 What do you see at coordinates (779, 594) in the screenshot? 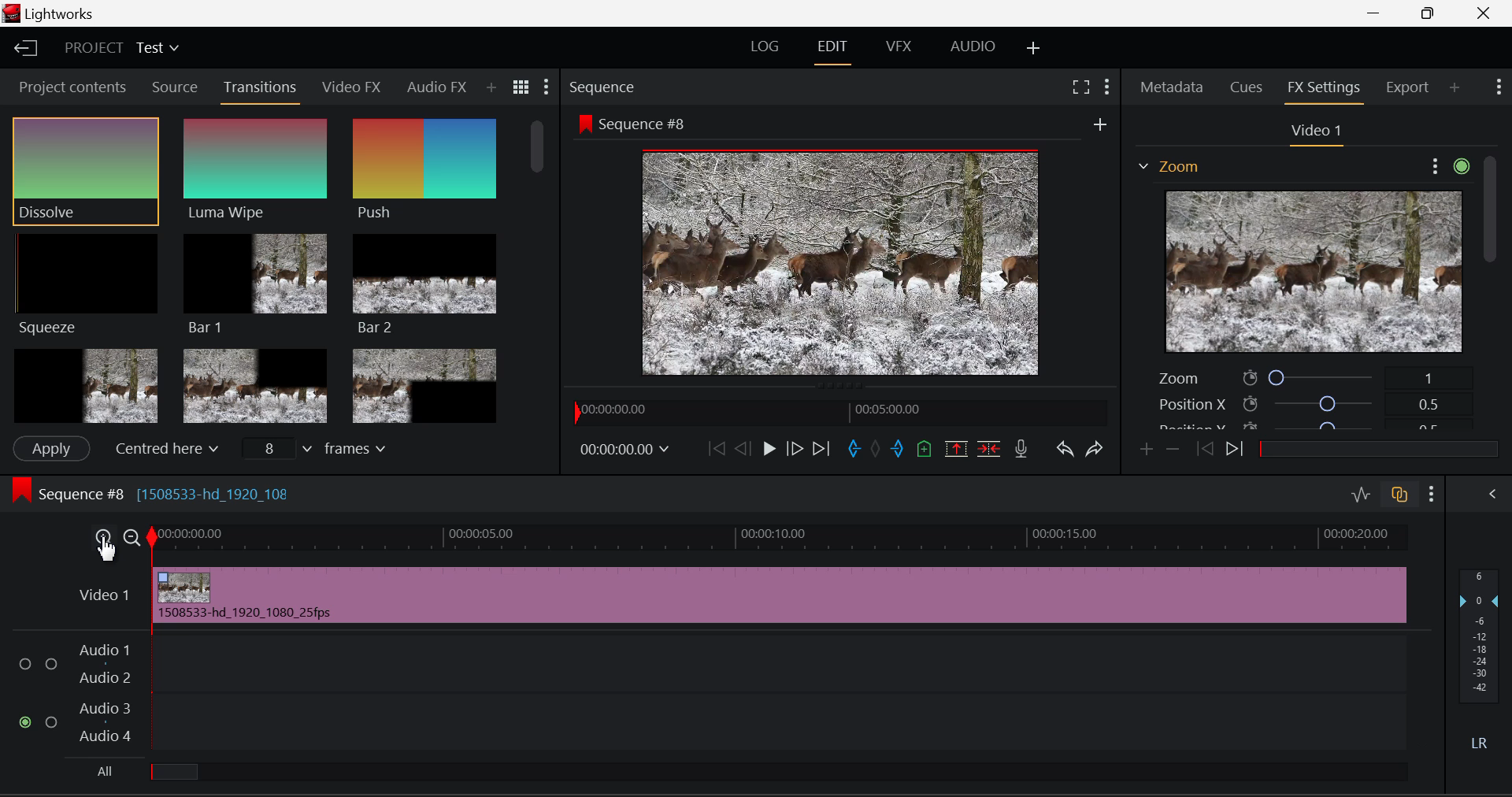
I see `Zoomed In Clip` at bounding box center [779, 594].